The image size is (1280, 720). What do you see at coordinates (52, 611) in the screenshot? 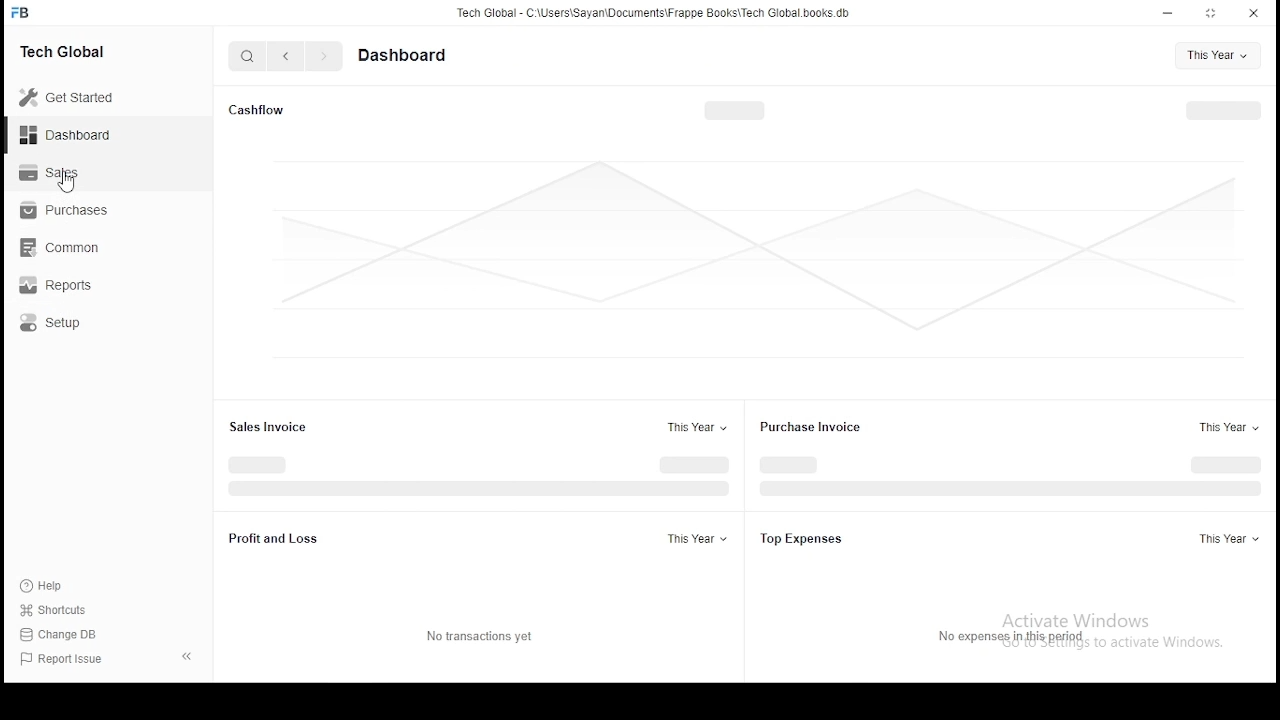
I see `shortcuts` at bounding box center [52, 611].